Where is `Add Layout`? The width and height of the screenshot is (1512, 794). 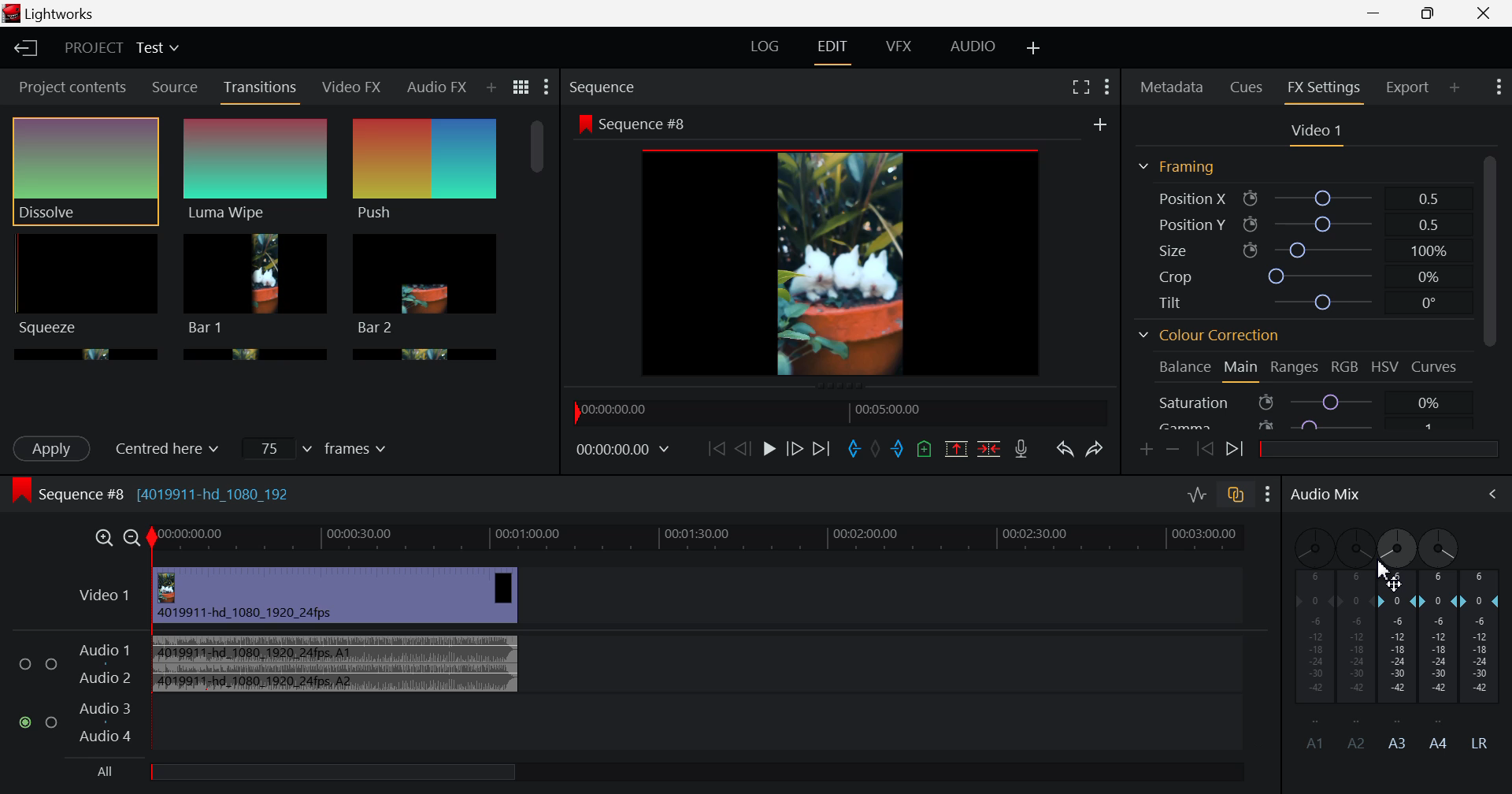
Add Layout is located at coordinates (1032, 47).